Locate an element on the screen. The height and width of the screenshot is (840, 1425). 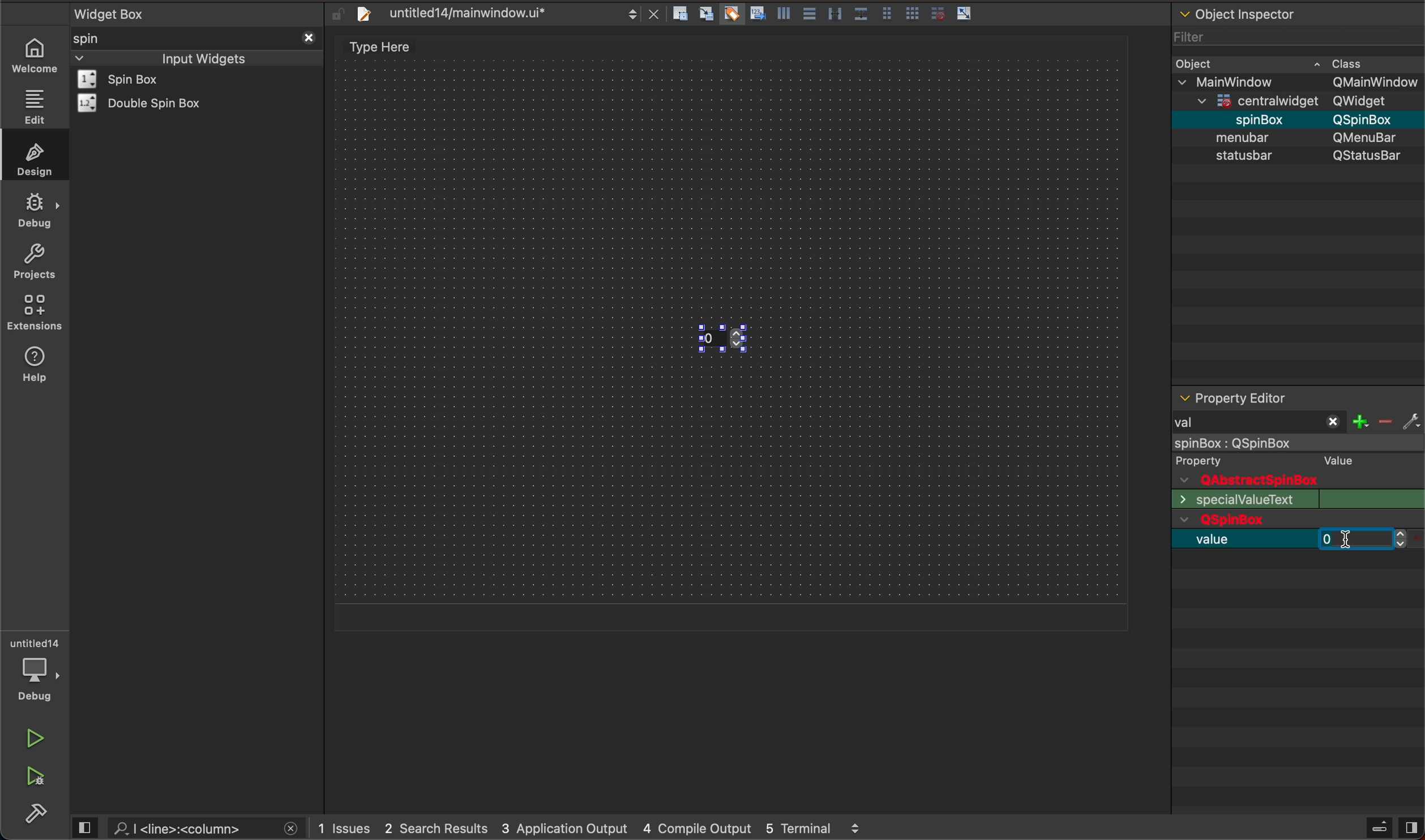
before typing is located at coordinates (1361, 540).